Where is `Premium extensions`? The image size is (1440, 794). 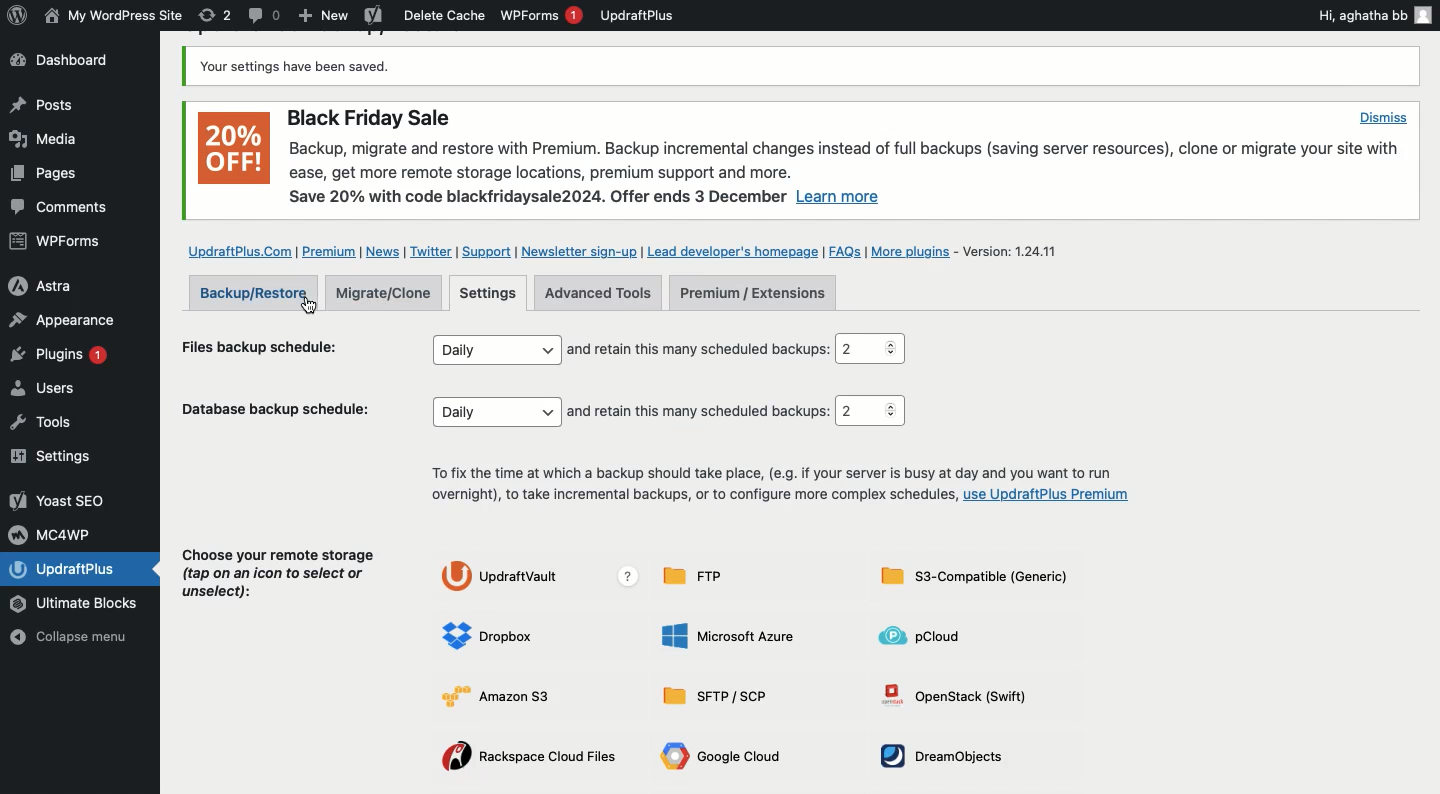 Premium extensions is located at coordinates (754, 292).